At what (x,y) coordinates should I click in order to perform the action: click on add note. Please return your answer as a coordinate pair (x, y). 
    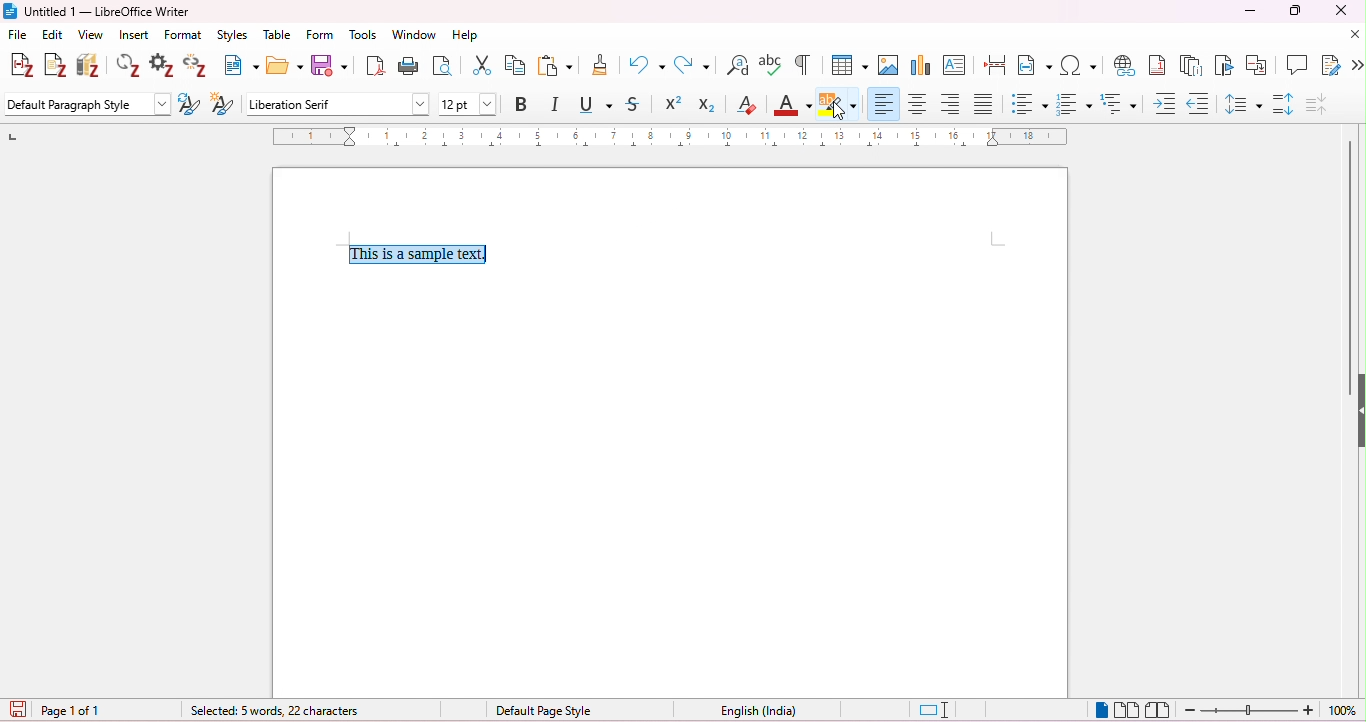
    Looking at the image, I should click on (56, 65).